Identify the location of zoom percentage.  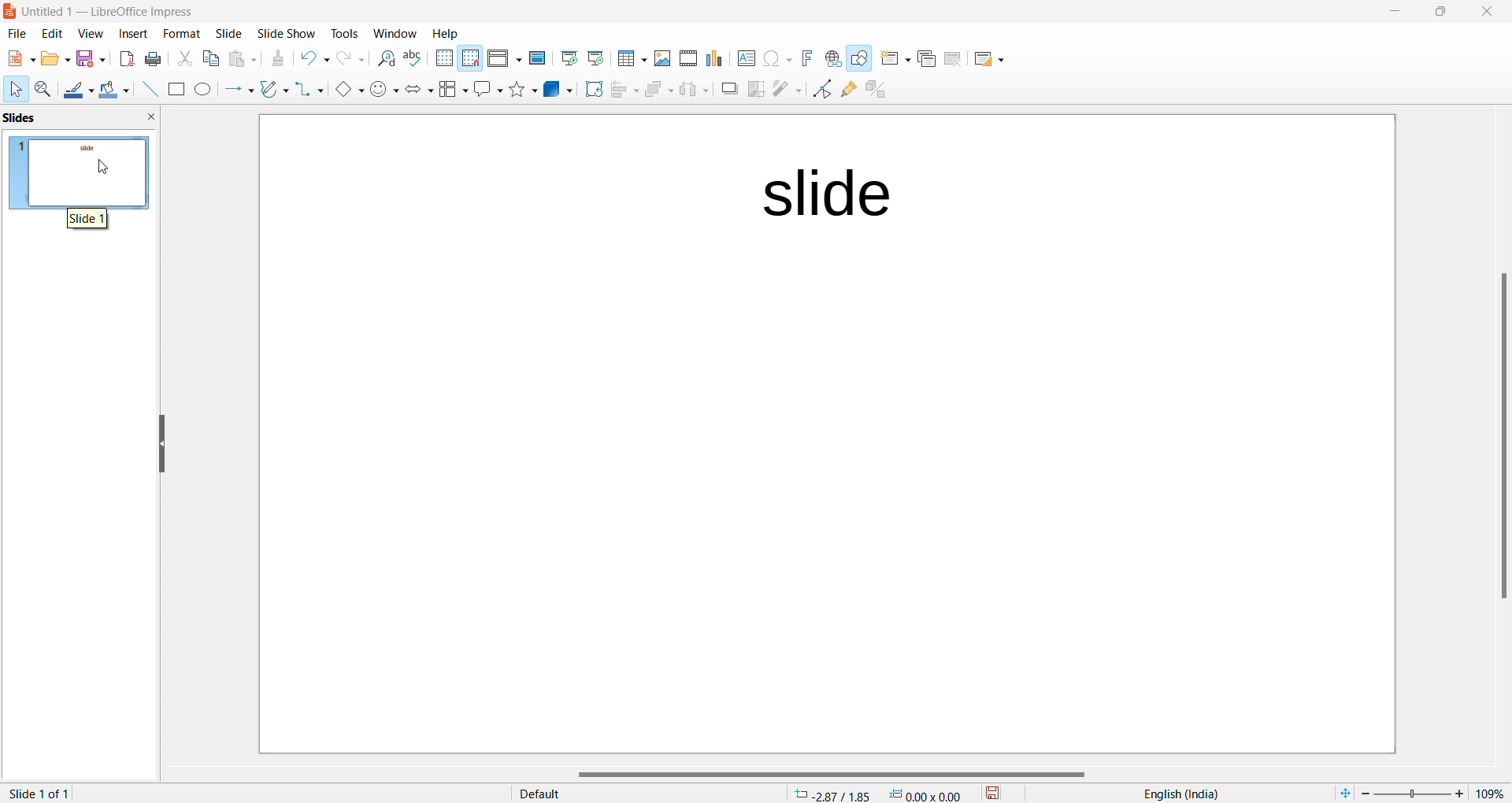
(1493, 792).